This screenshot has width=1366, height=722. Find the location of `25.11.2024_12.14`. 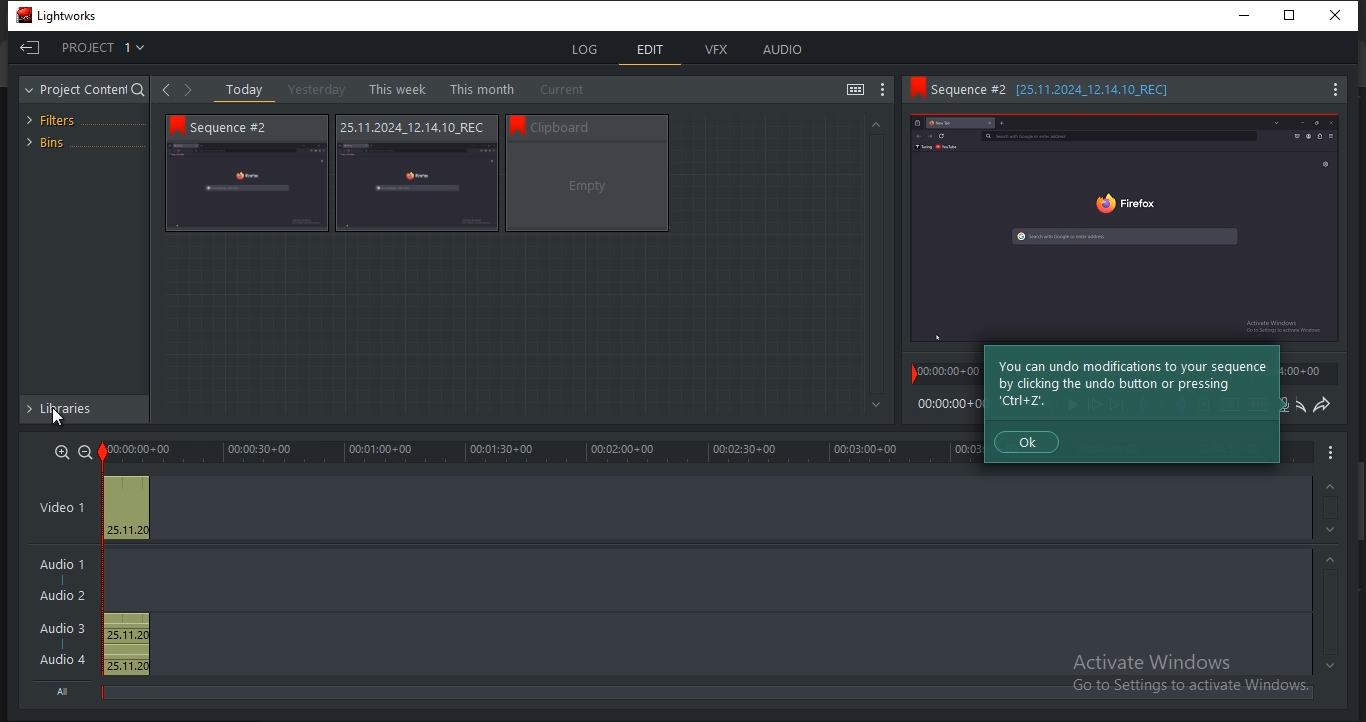

25.11.2024_12.14 is located at coordinates (130, 531).